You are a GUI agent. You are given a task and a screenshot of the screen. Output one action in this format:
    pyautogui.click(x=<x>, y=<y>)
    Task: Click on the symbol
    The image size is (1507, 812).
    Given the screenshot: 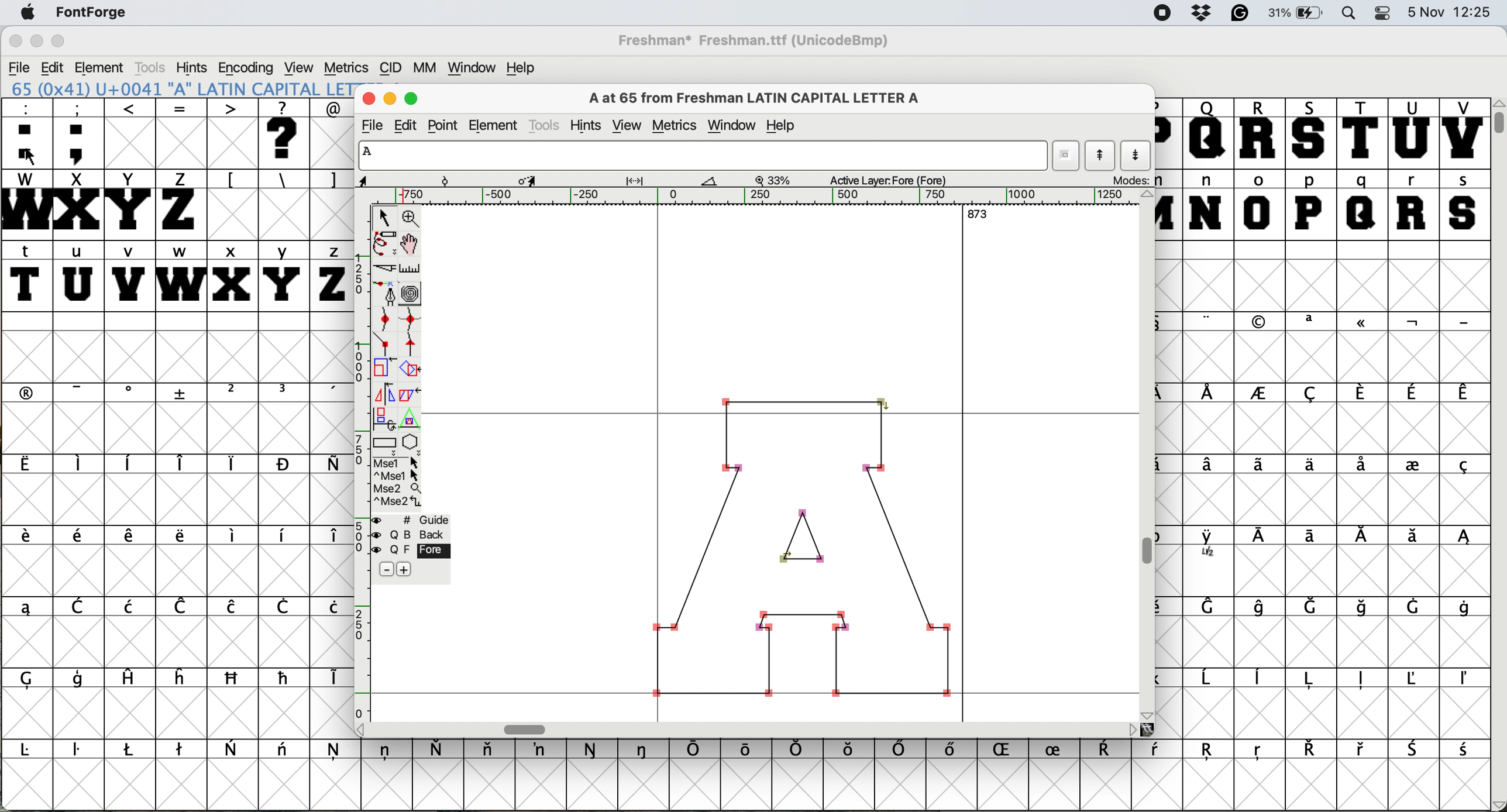 What is the action you would take?
    pyautogui.click(x=1261, y=463)
    